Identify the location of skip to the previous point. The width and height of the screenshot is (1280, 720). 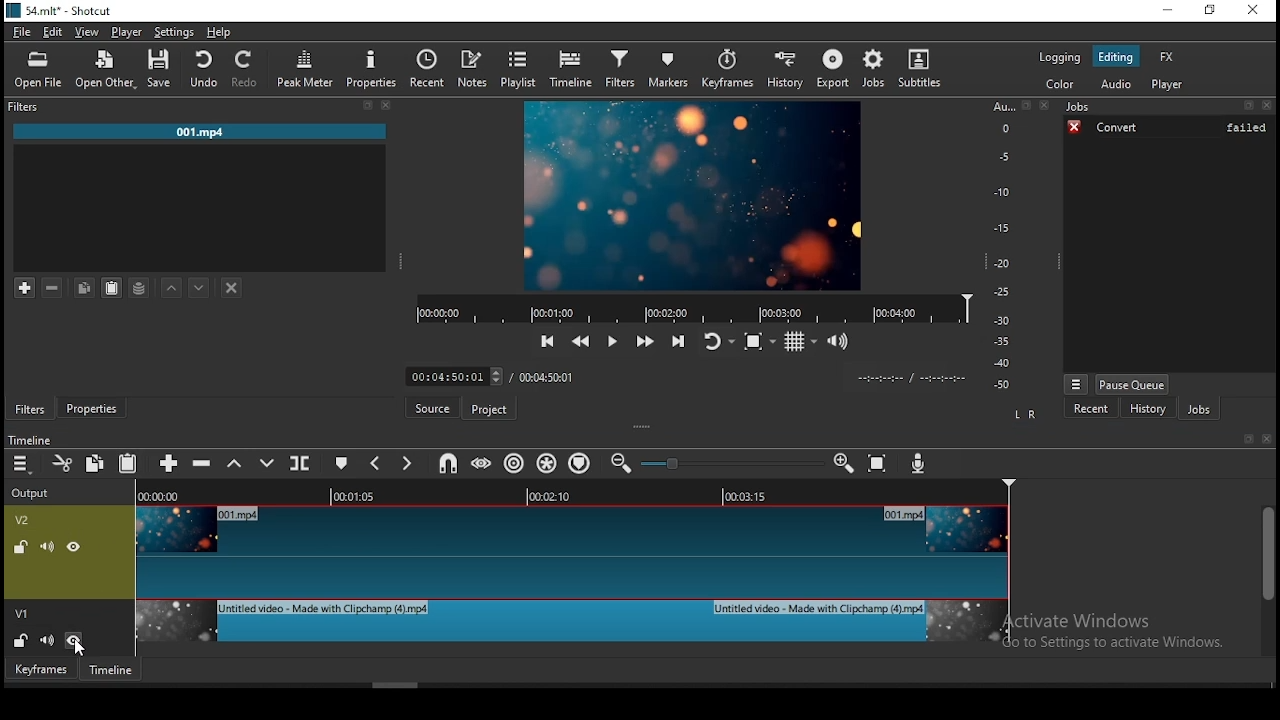
(548, 339).